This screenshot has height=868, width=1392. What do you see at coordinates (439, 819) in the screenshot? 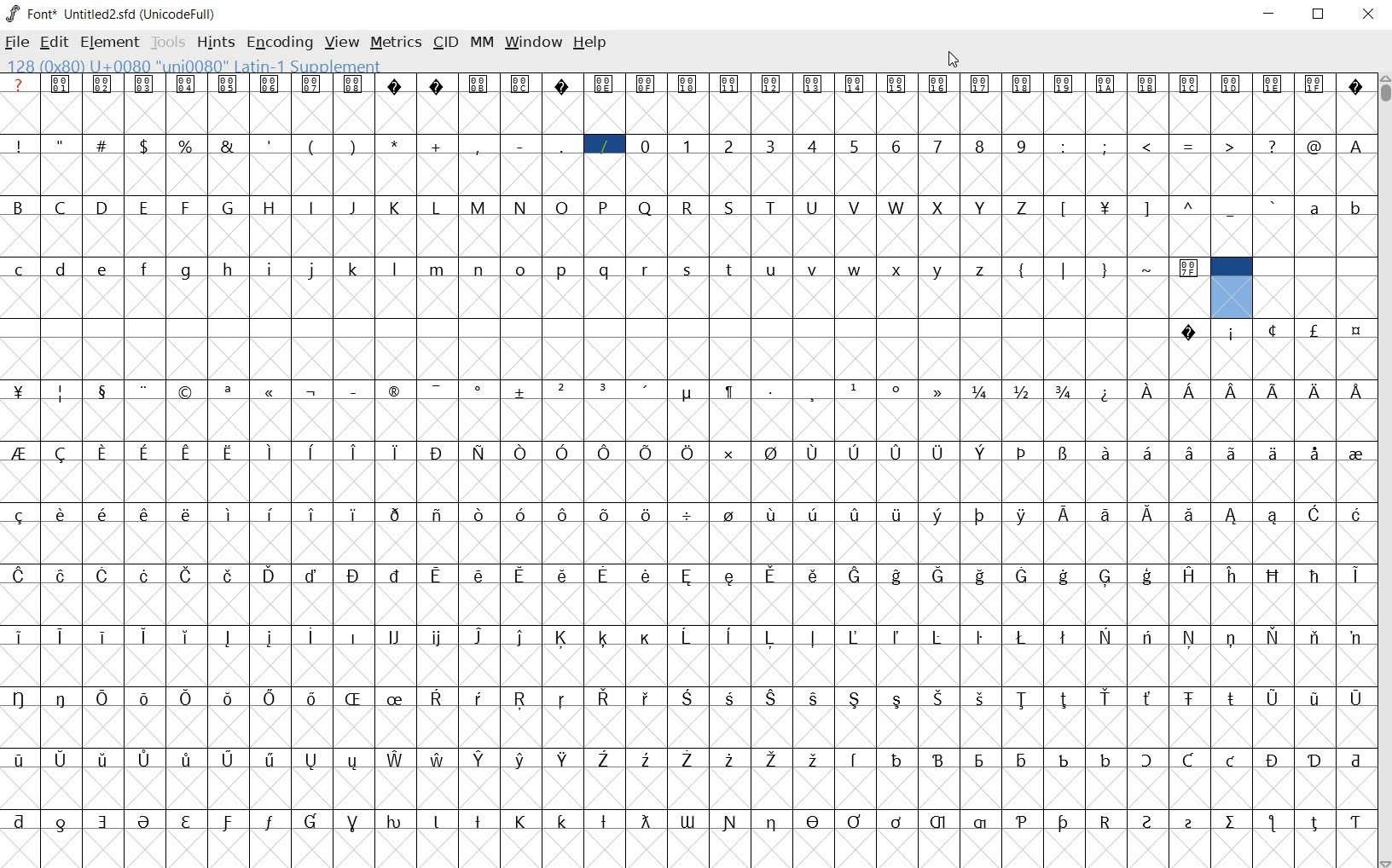
I see `Symbol` at bounding box center [439, 819].